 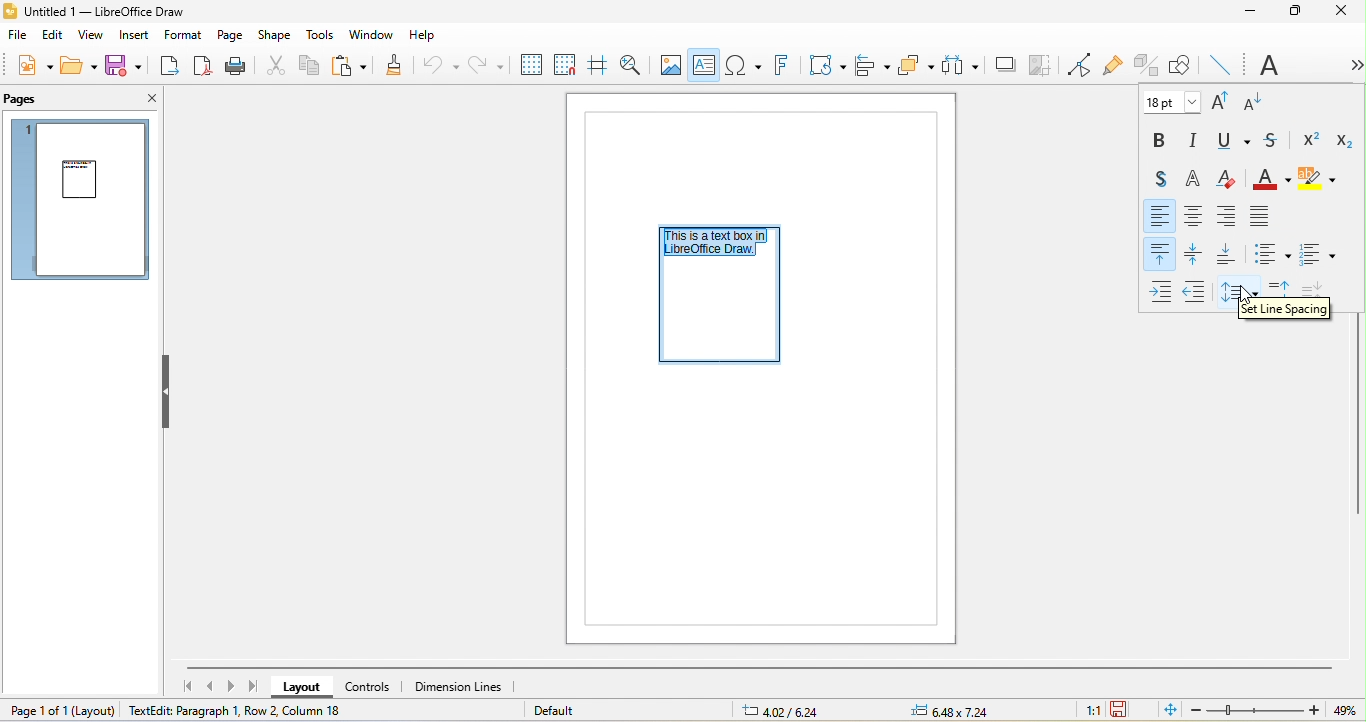 What do you see at coordinates (1038, 64) in the screenshot?
I see `crop image` at bounding box center [1038, 64].